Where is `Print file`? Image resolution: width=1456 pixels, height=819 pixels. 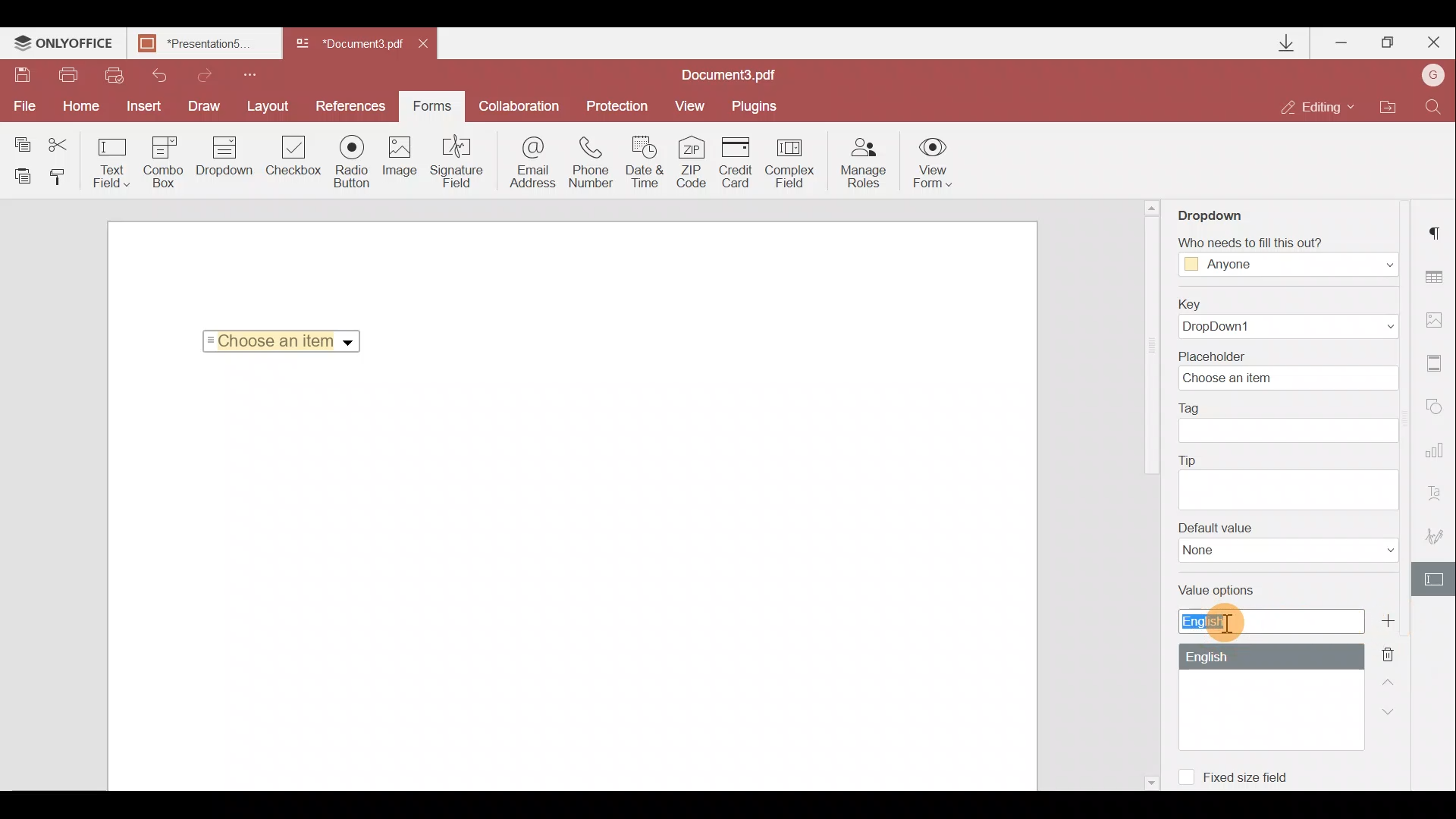
Print file is located at coordinates (70, 76).